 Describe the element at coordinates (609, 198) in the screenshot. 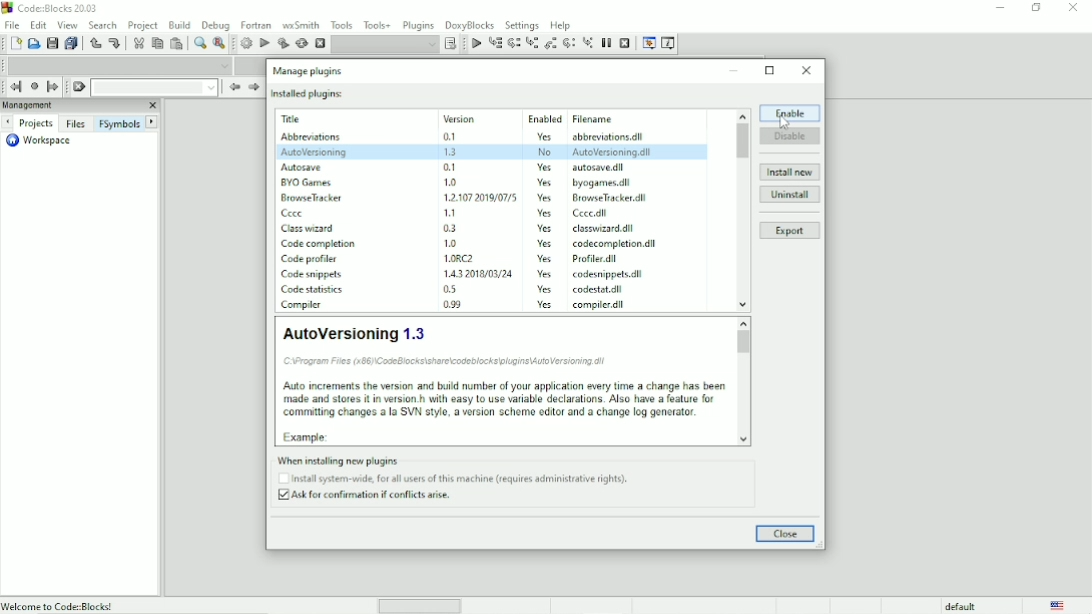

I see `file` at that location.